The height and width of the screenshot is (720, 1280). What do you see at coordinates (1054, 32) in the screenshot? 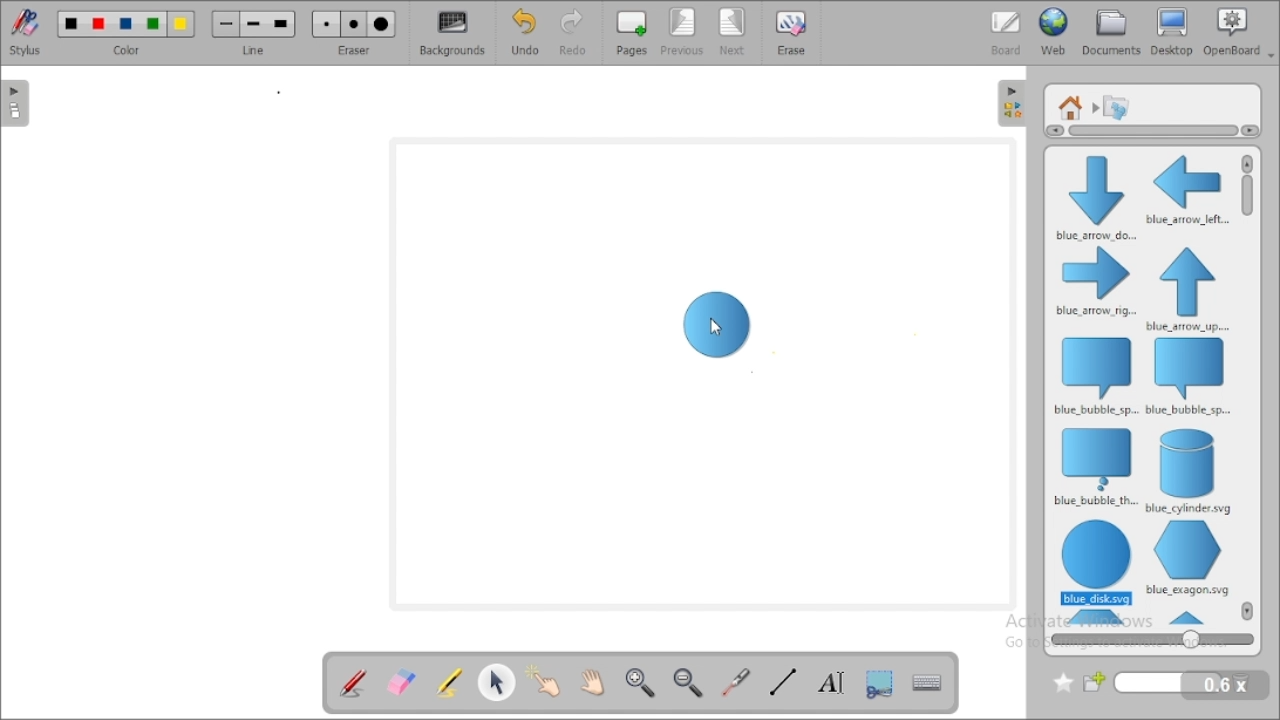
I see `web` at bounding box center [1054, 32].